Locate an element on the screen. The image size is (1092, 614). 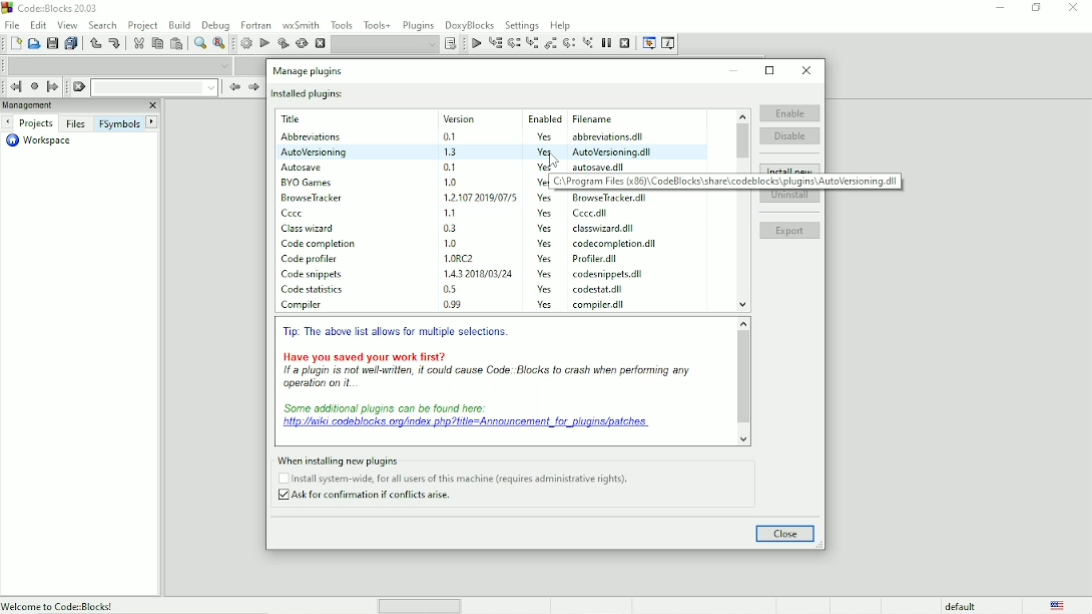
AutoVersioning is located at coordinates (313, 152).